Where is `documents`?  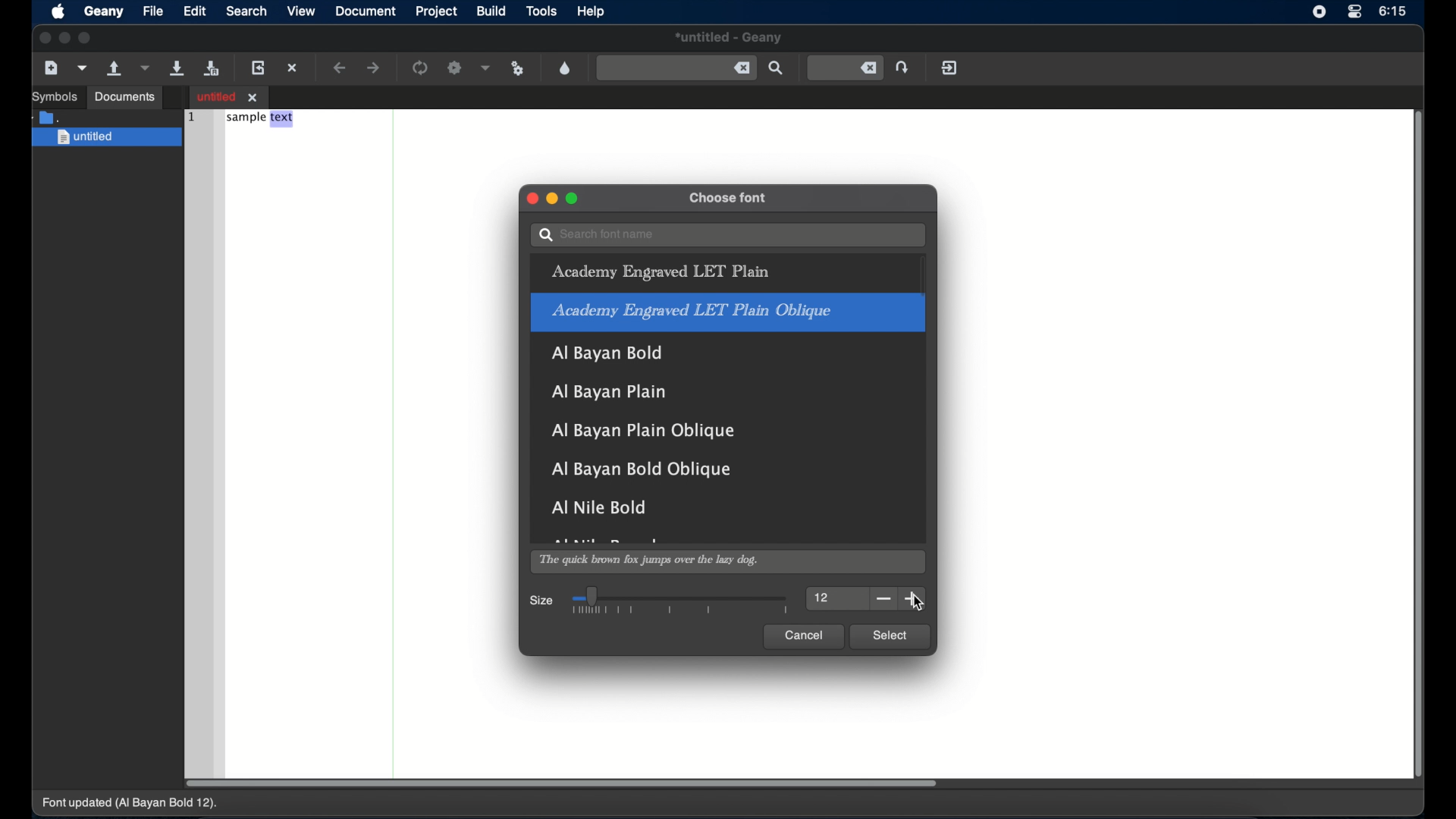 documents is located at coordinates (49, 116).